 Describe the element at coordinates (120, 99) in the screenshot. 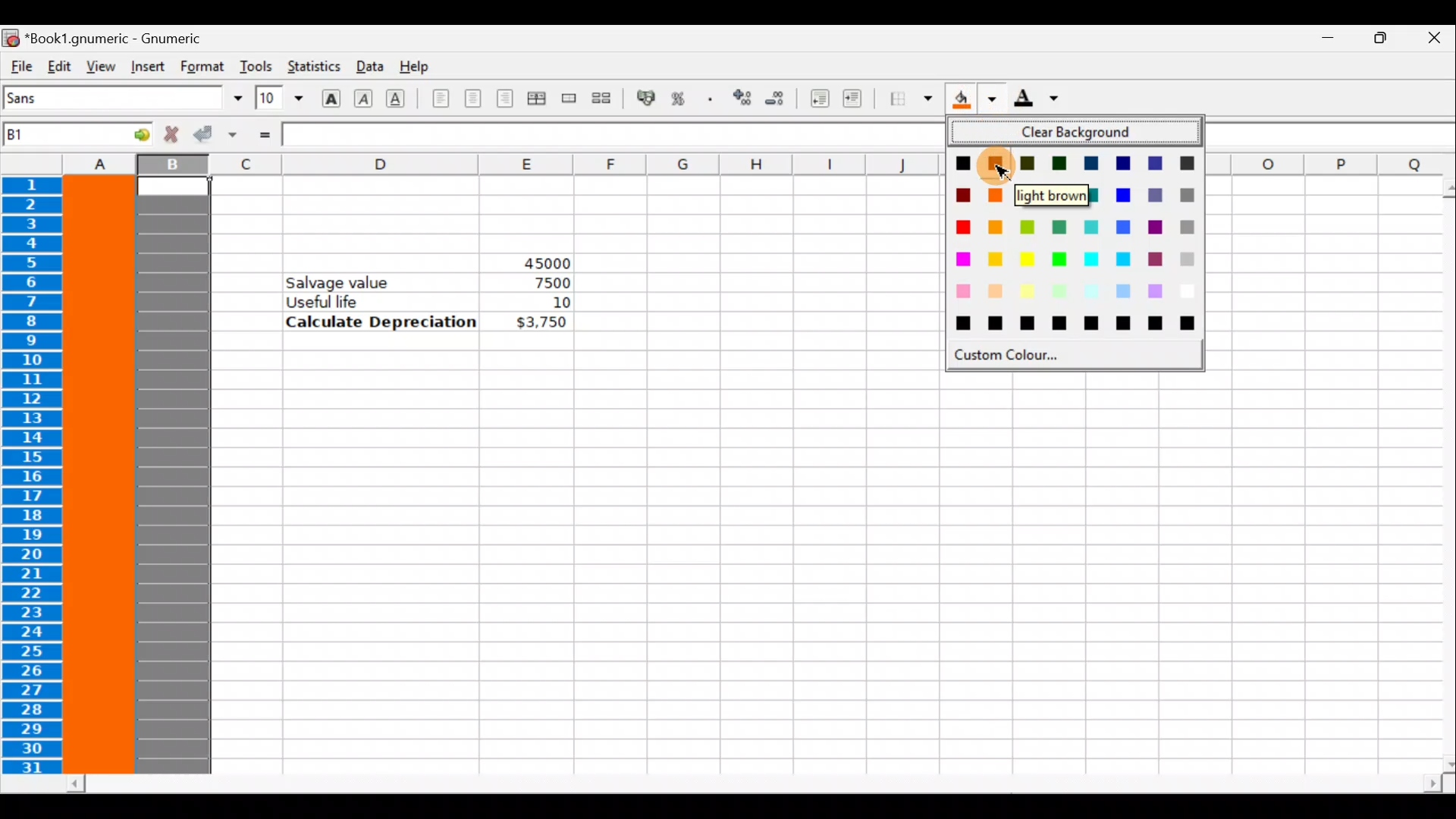

I see `Font name - Sans` at that location.